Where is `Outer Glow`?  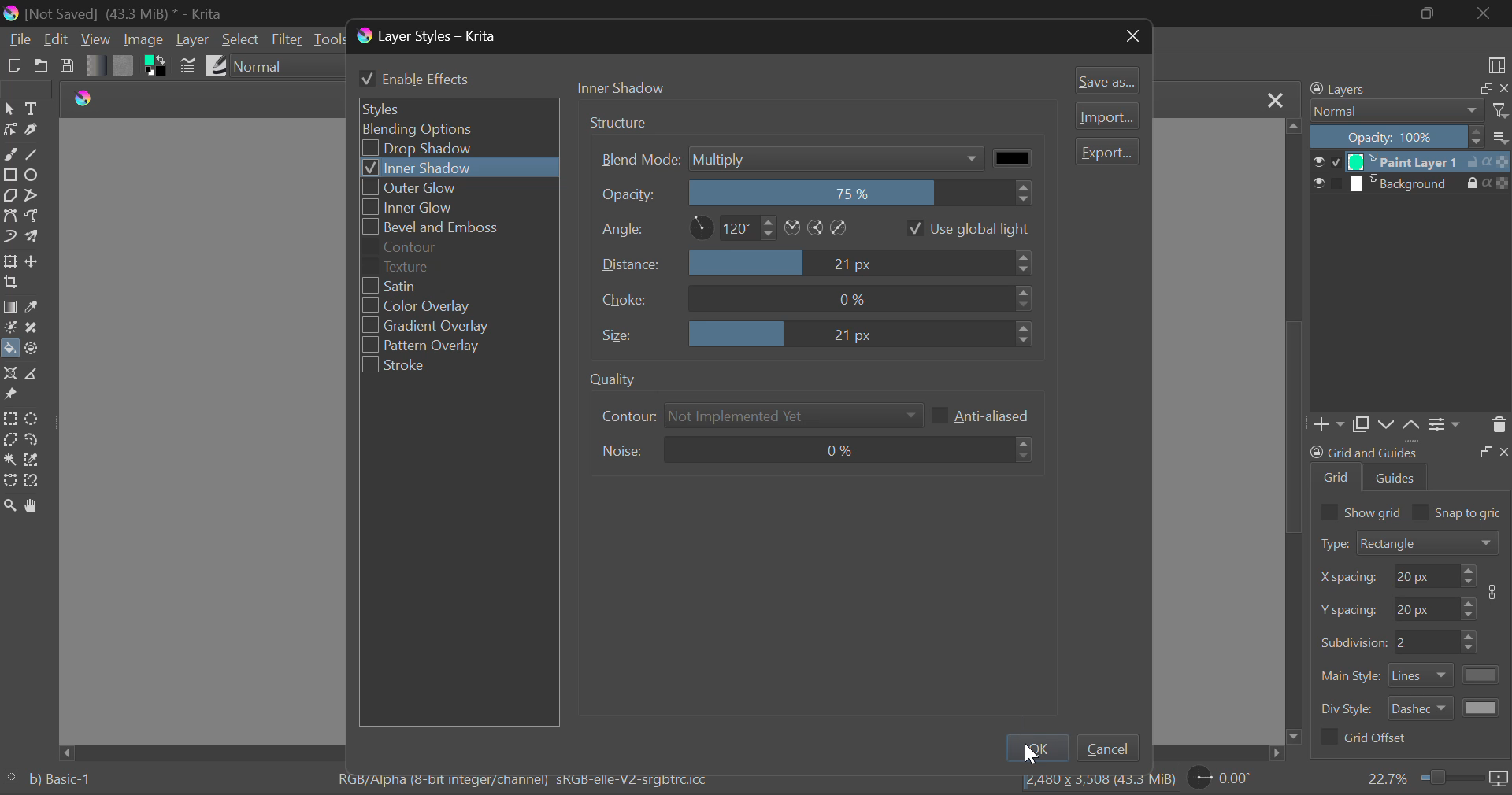
Outer Glow is located at coordinates (454, 187).